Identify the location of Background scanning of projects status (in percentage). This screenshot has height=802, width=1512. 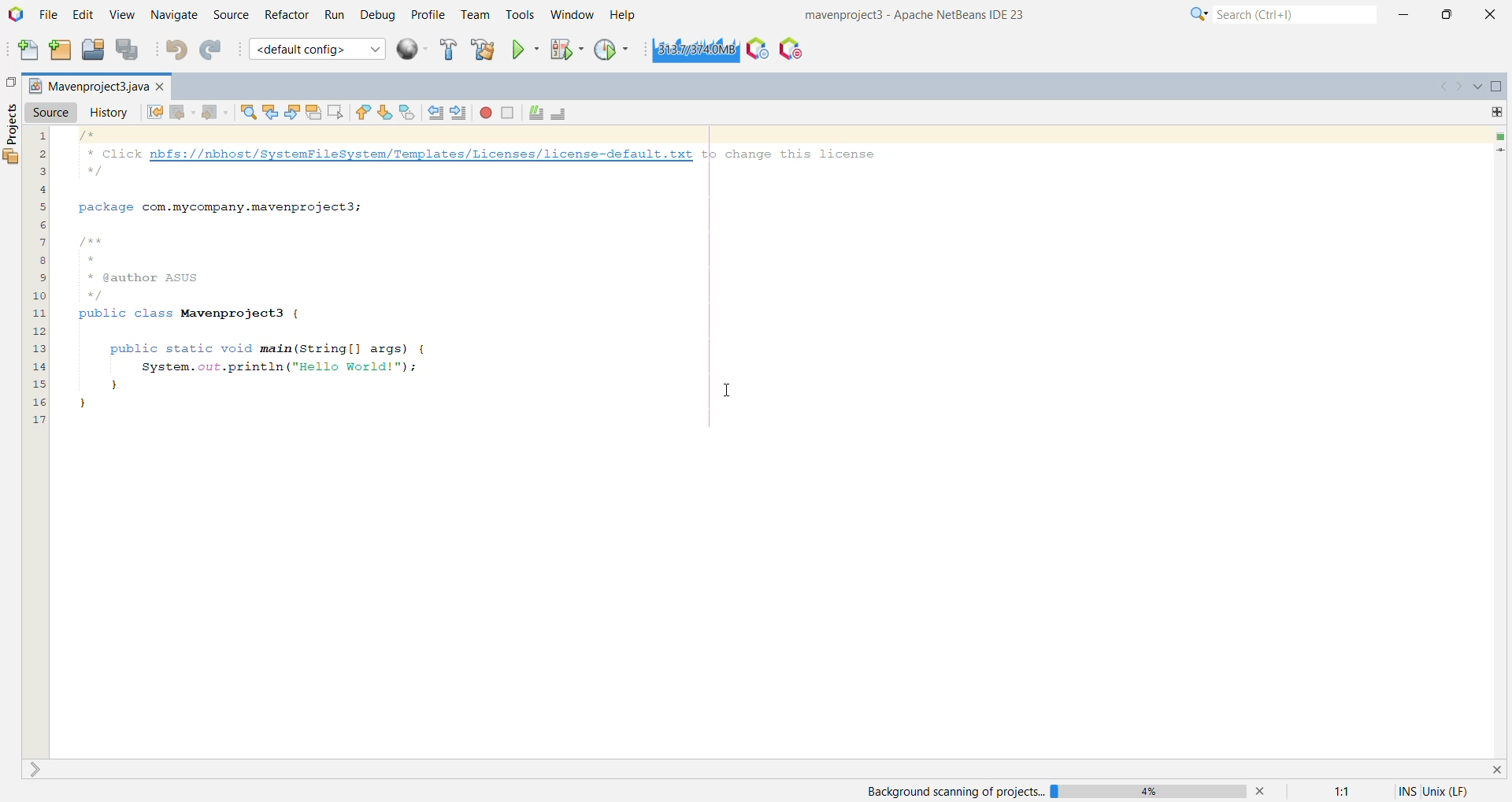
(1062, 789).